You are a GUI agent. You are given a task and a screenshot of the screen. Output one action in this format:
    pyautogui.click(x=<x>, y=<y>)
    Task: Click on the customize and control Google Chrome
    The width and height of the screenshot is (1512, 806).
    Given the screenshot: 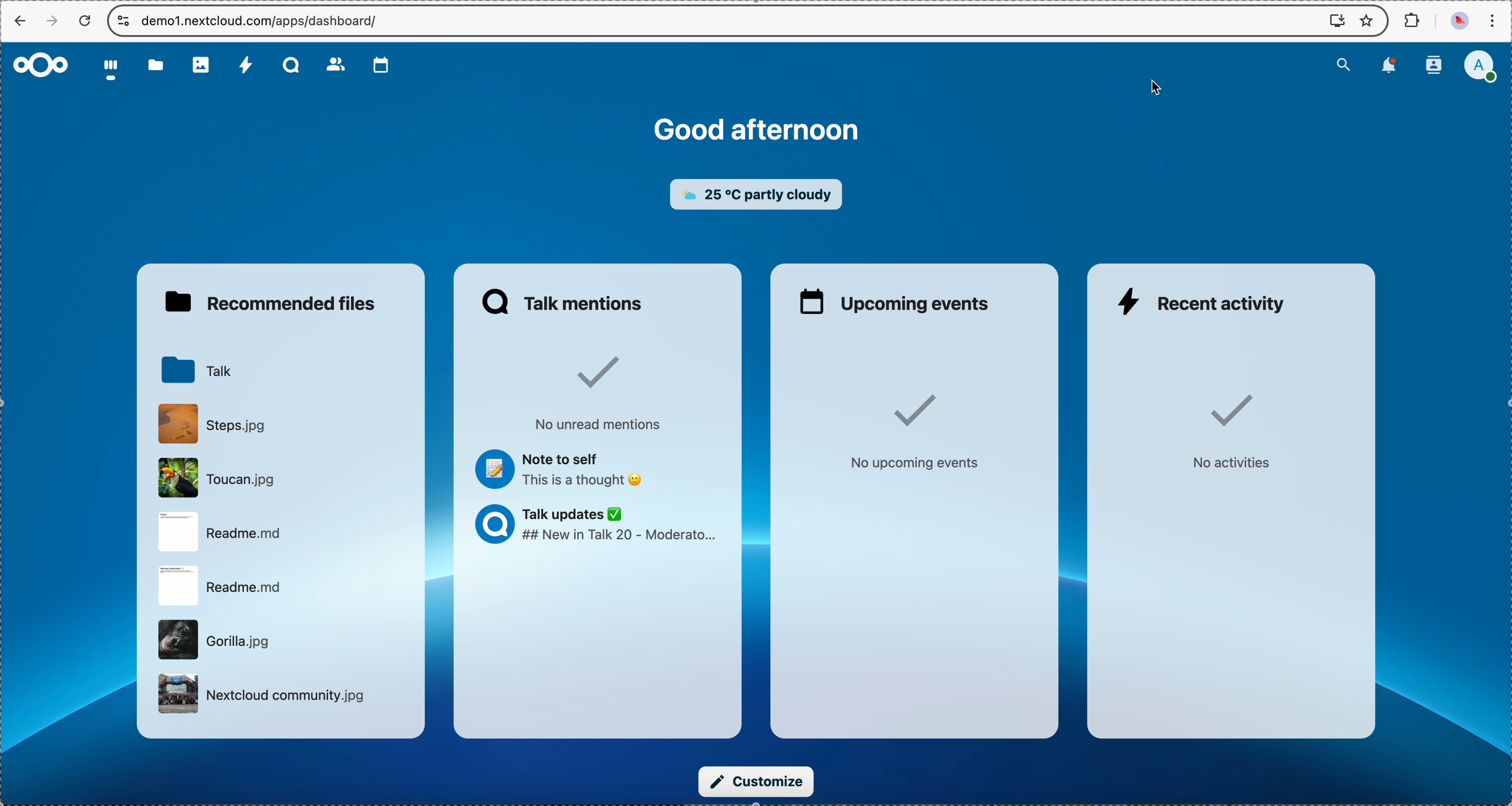 What is the action you would take?
    pyautogui.click(x=1496, y=19)
    